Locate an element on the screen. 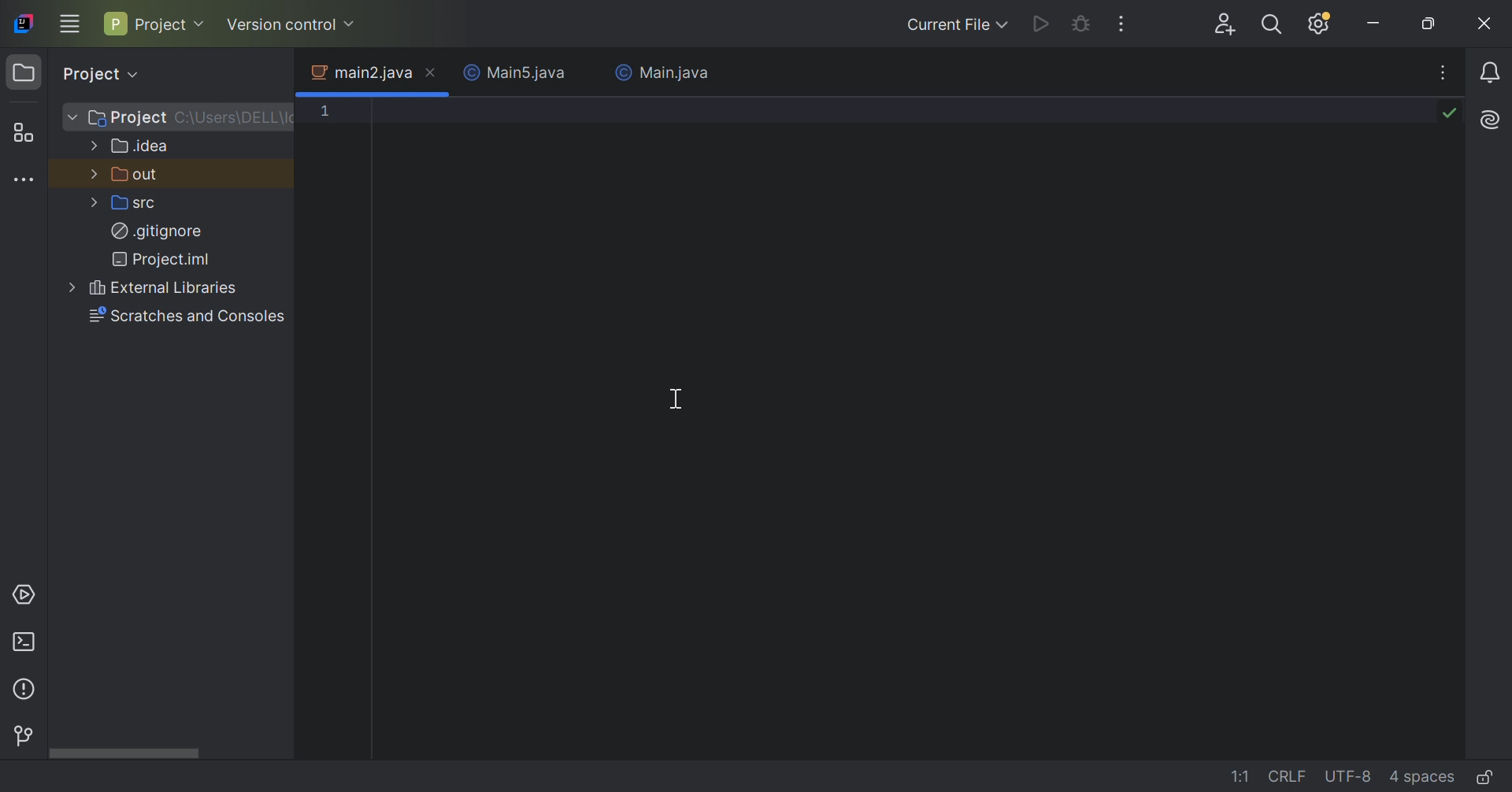 Image resolution: width=1512 pixels, height=792 pixels. C\:Users\DELL\ is located at coordinates (235, 117).